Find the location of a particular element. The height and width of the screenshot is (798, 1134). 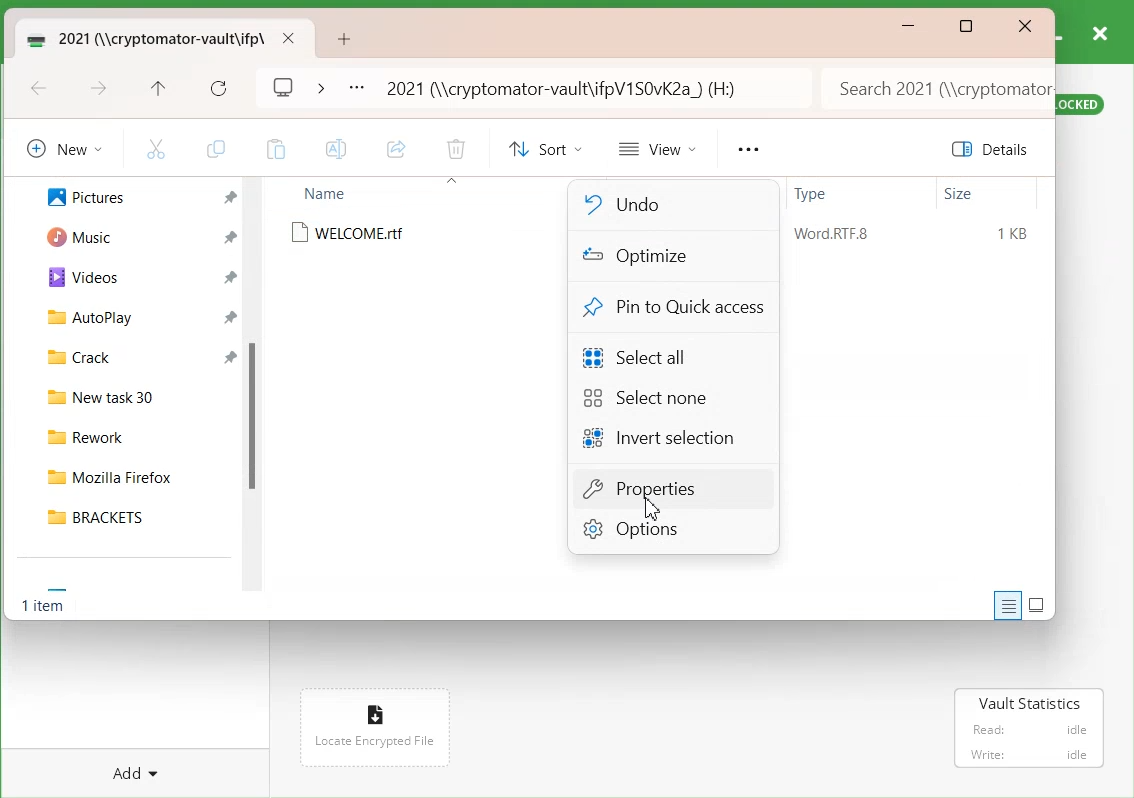

Text is located at coordinates (46, 608).